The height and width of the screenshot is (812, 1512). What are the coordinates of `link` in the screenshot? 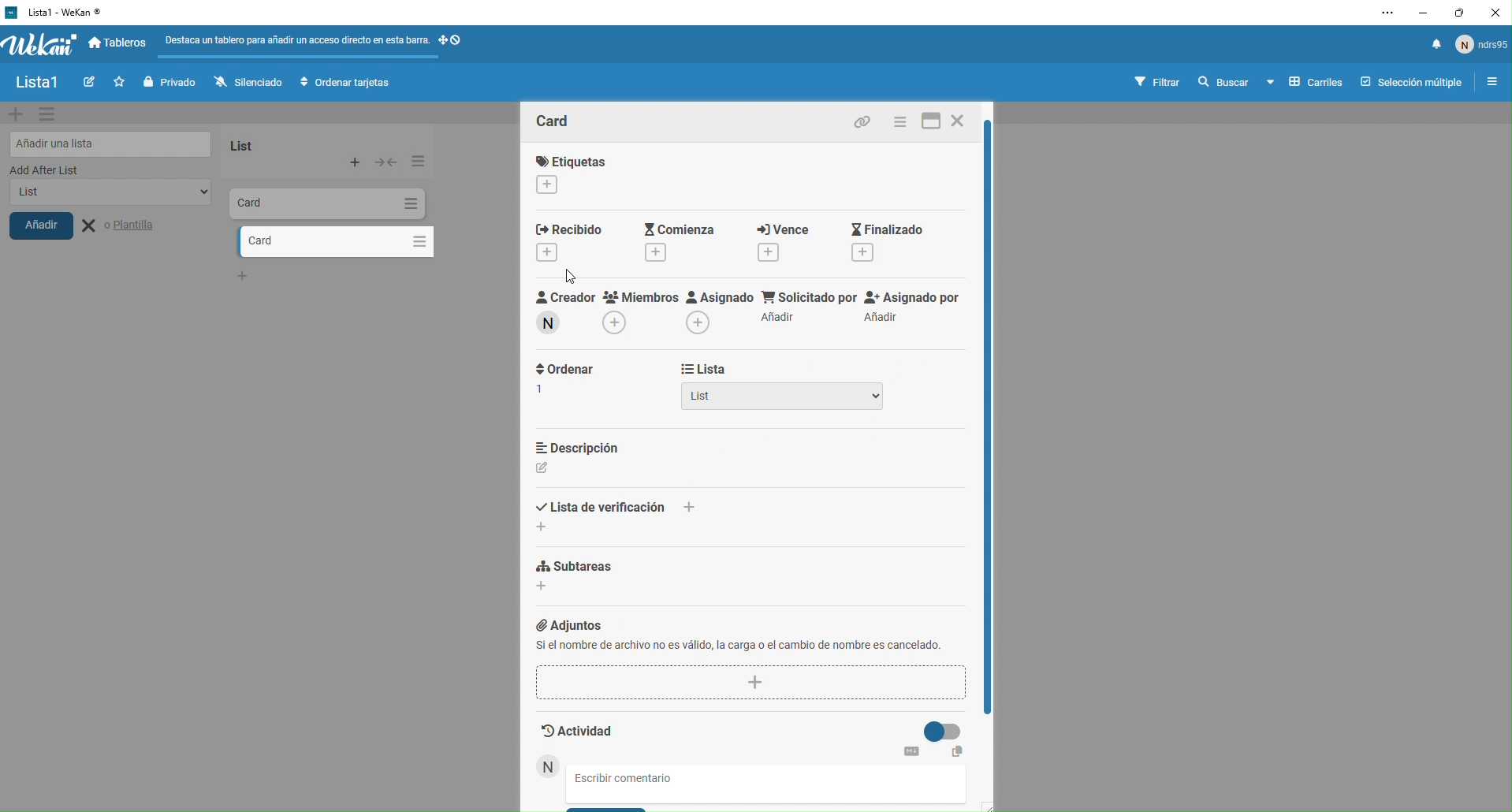 It's located at (867, 121).